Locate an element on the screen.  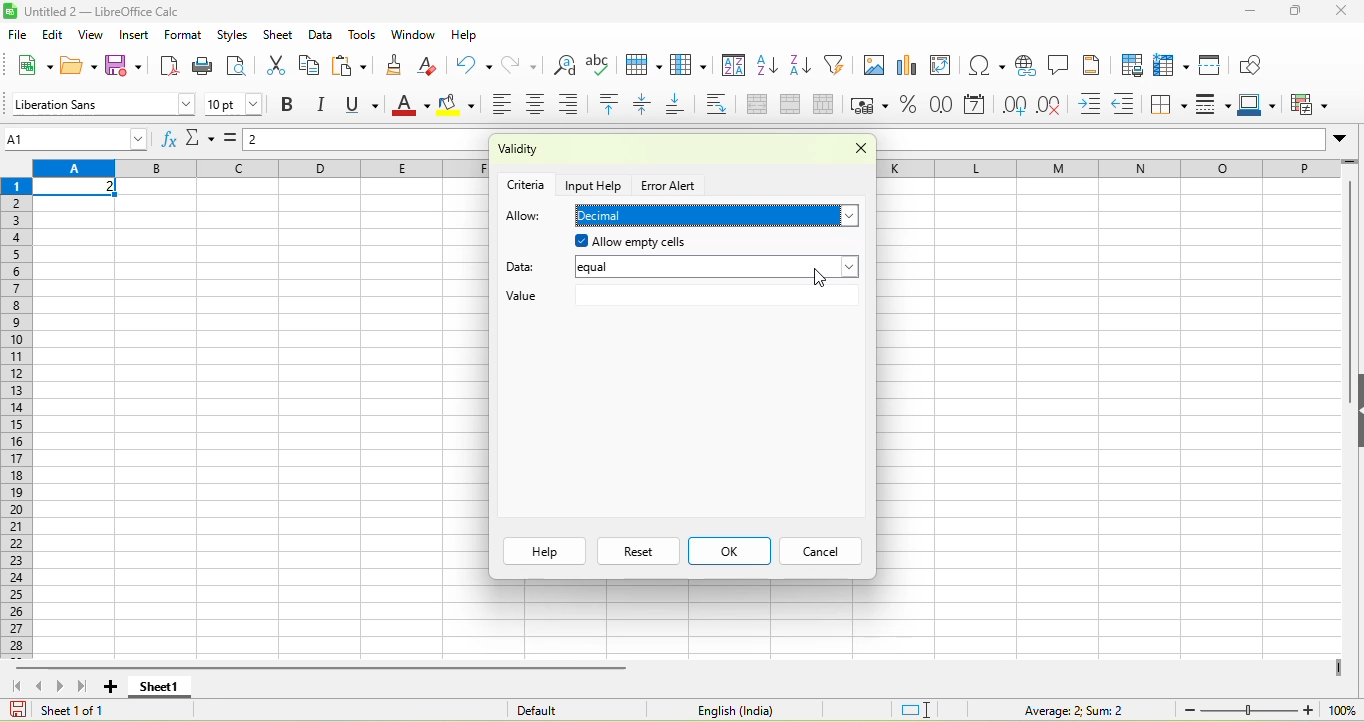
format as currency is located at coordinates (871, 105).